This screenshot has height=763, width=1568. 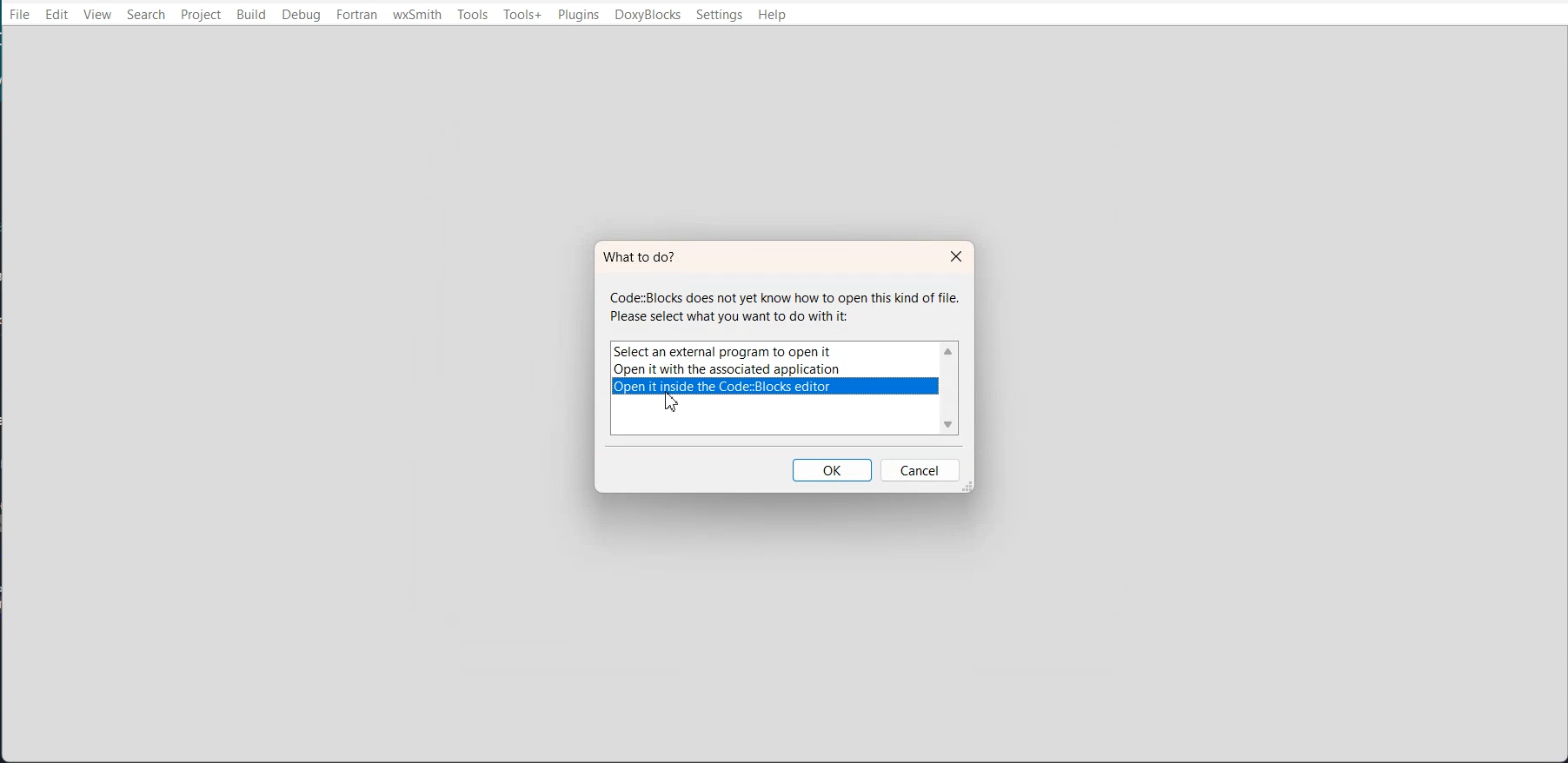 I want to click on Project, so click(x=200, y=15).